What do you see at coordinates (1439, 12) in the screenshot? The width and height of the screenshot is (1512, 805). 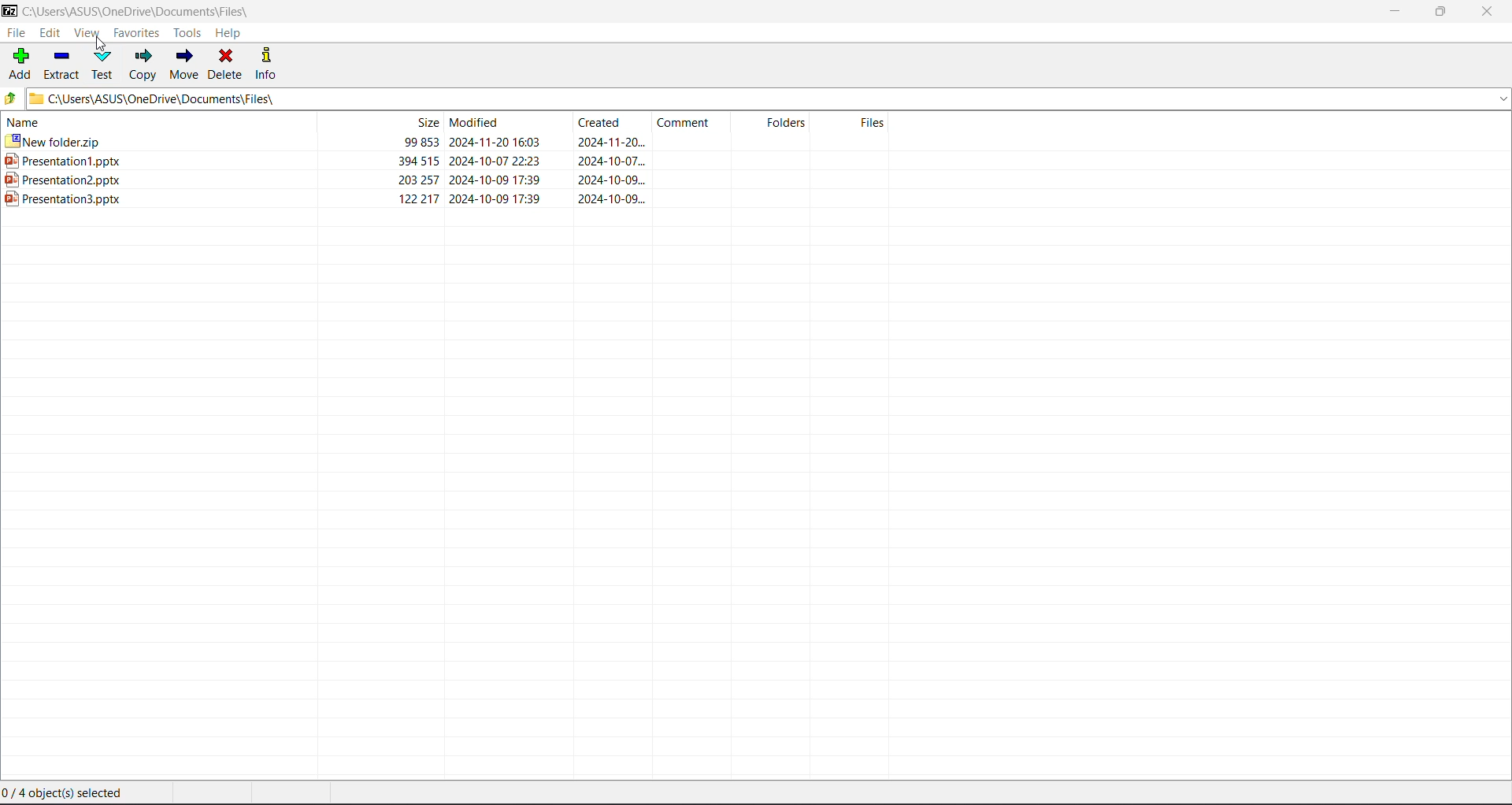 I see `Restore Down` at bounding box center [1439, 12].